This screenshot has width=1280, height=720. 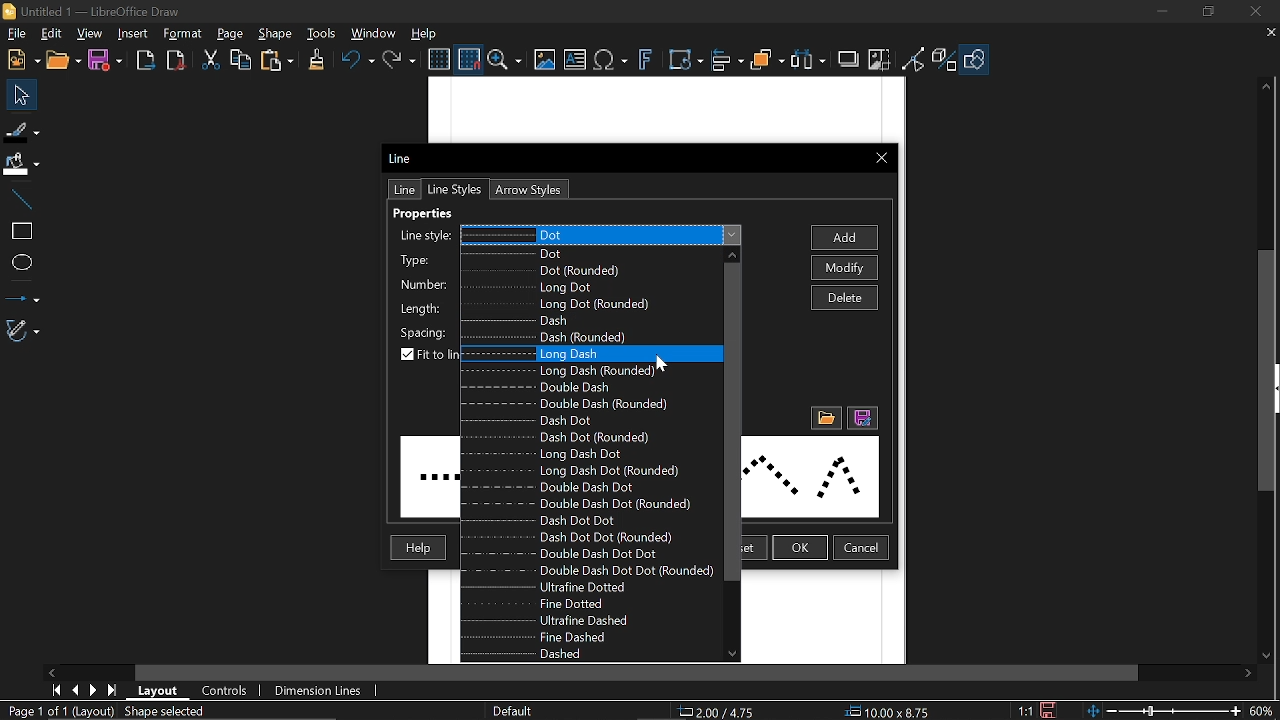 What do you see at coordinates (945, 61) in the screenshot?
I see `Toggle extrusion` at bounding box center [945, 61].